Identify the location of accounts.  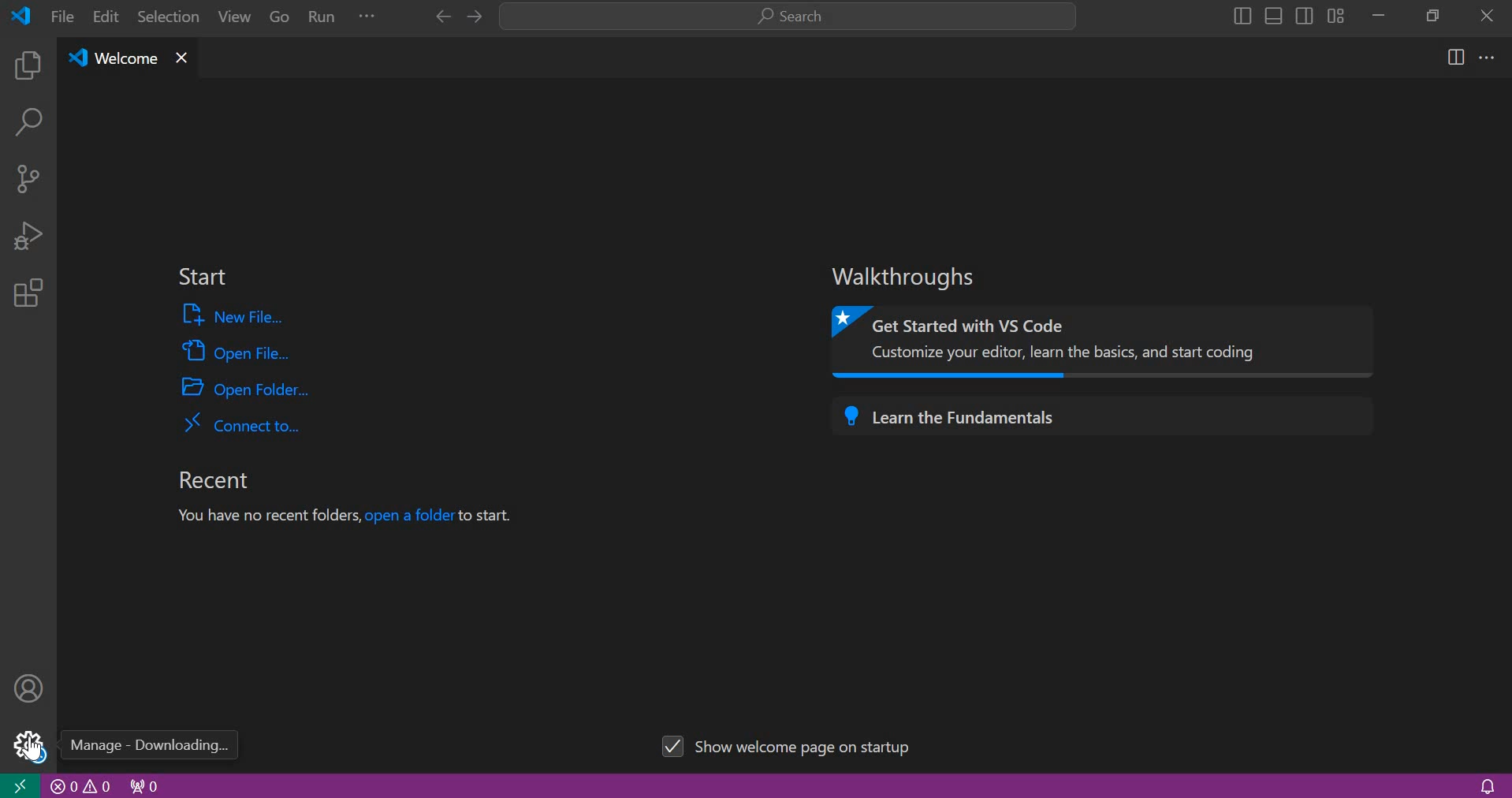
(30, 687).